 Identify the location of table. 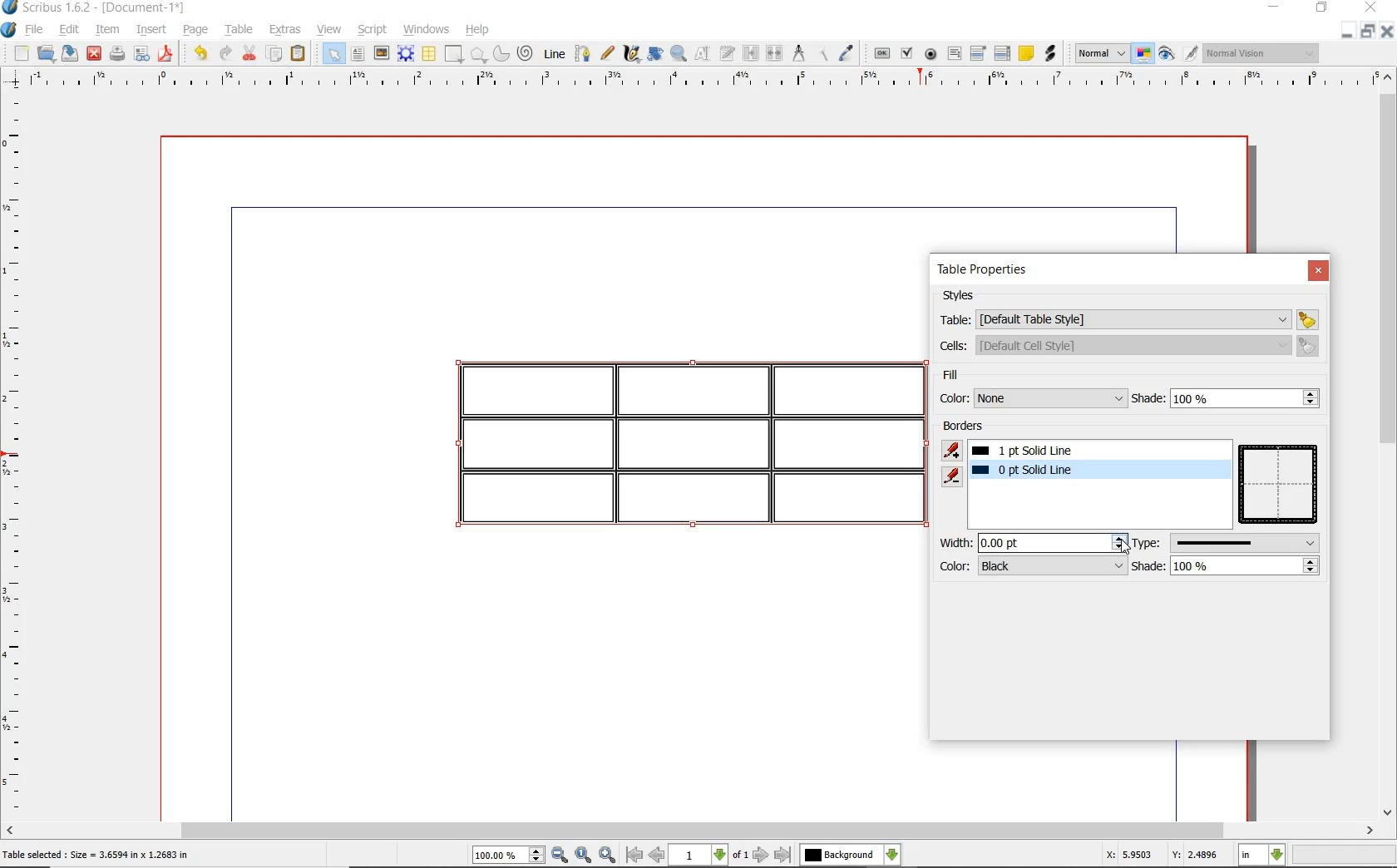
(429, 55).